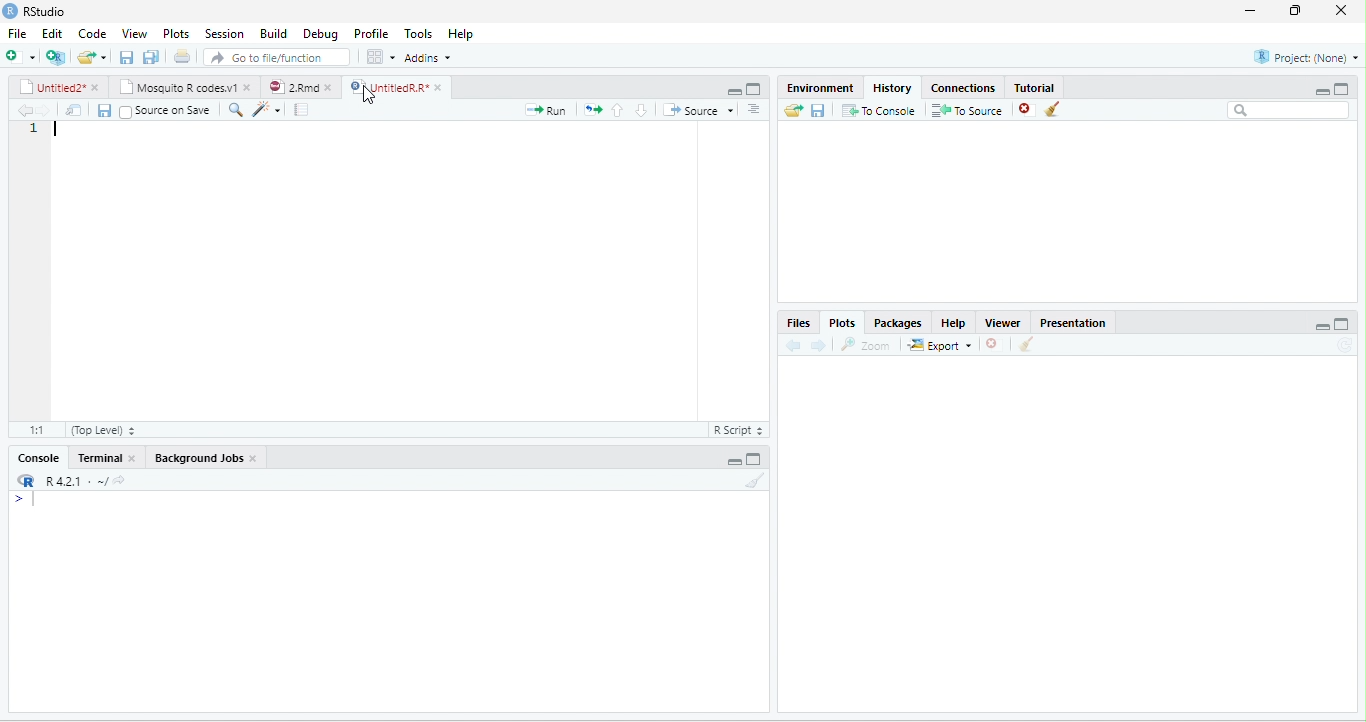 Image resolution: width=1366 pixels, height=722 pixels. What do you see at coordinates (762, 109) in the screenshot?
I see `` at bounding box center [762, 109].